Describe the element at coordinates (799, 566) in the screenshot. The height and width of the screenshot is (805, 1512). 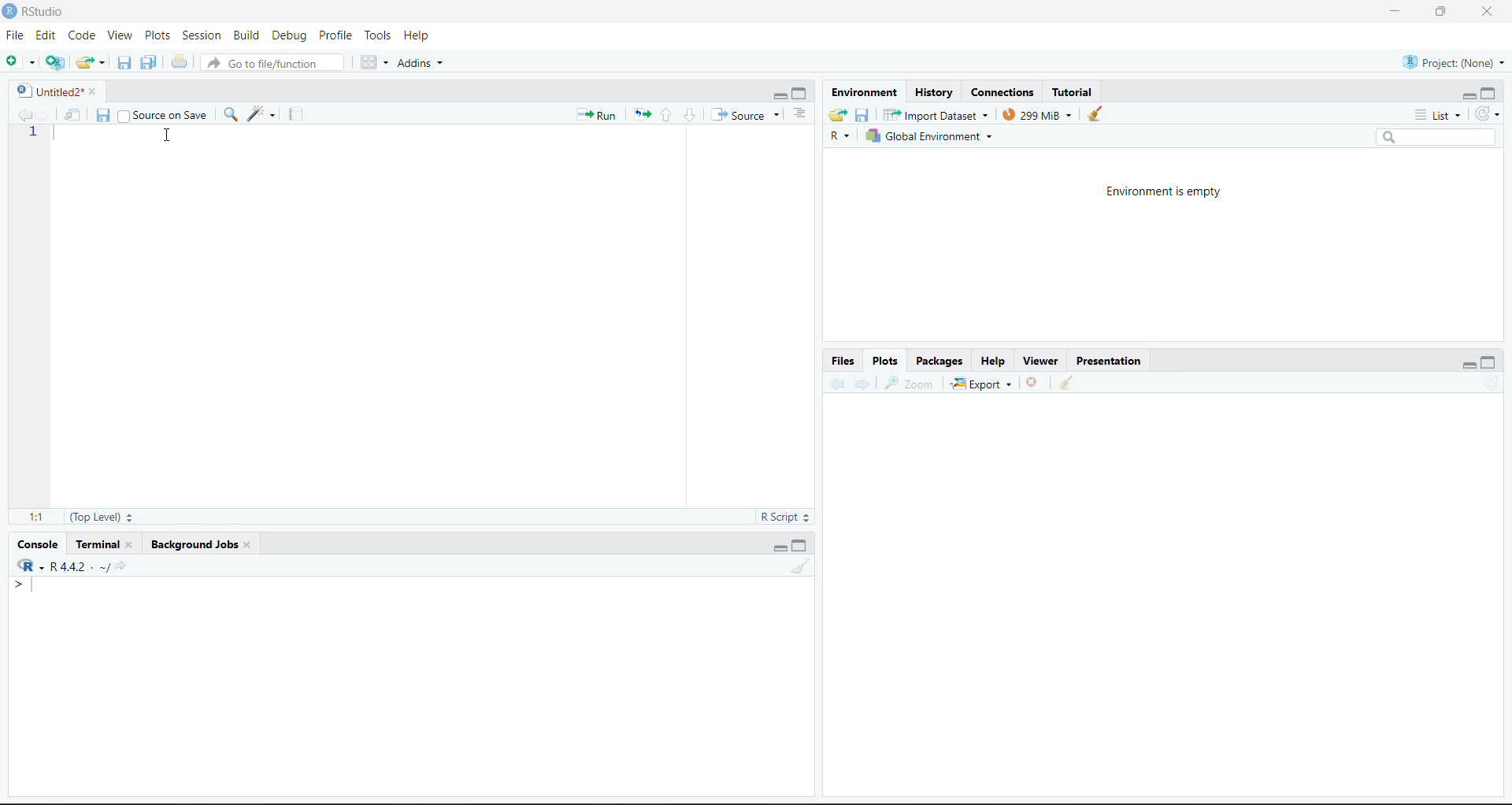
I see `clear console` at that location.